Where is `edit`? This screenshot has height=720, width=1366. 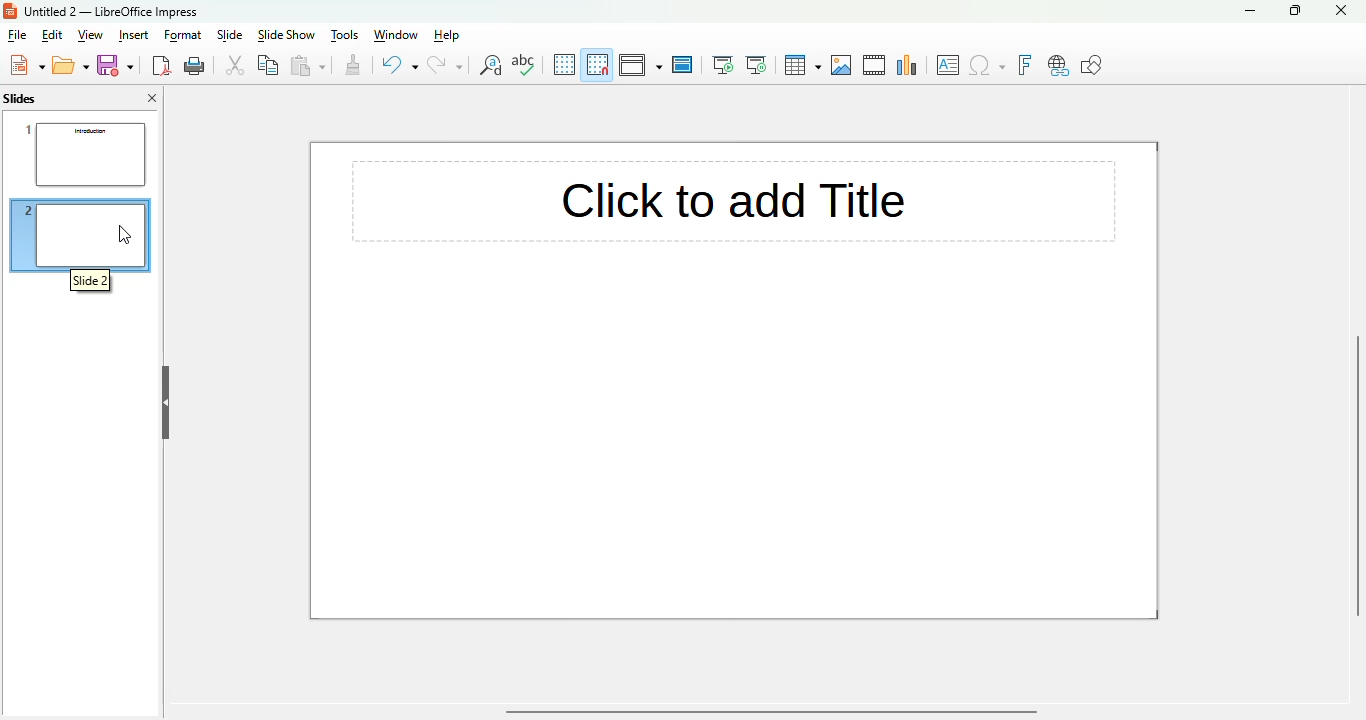 edit is located at coordinates (52, 35).